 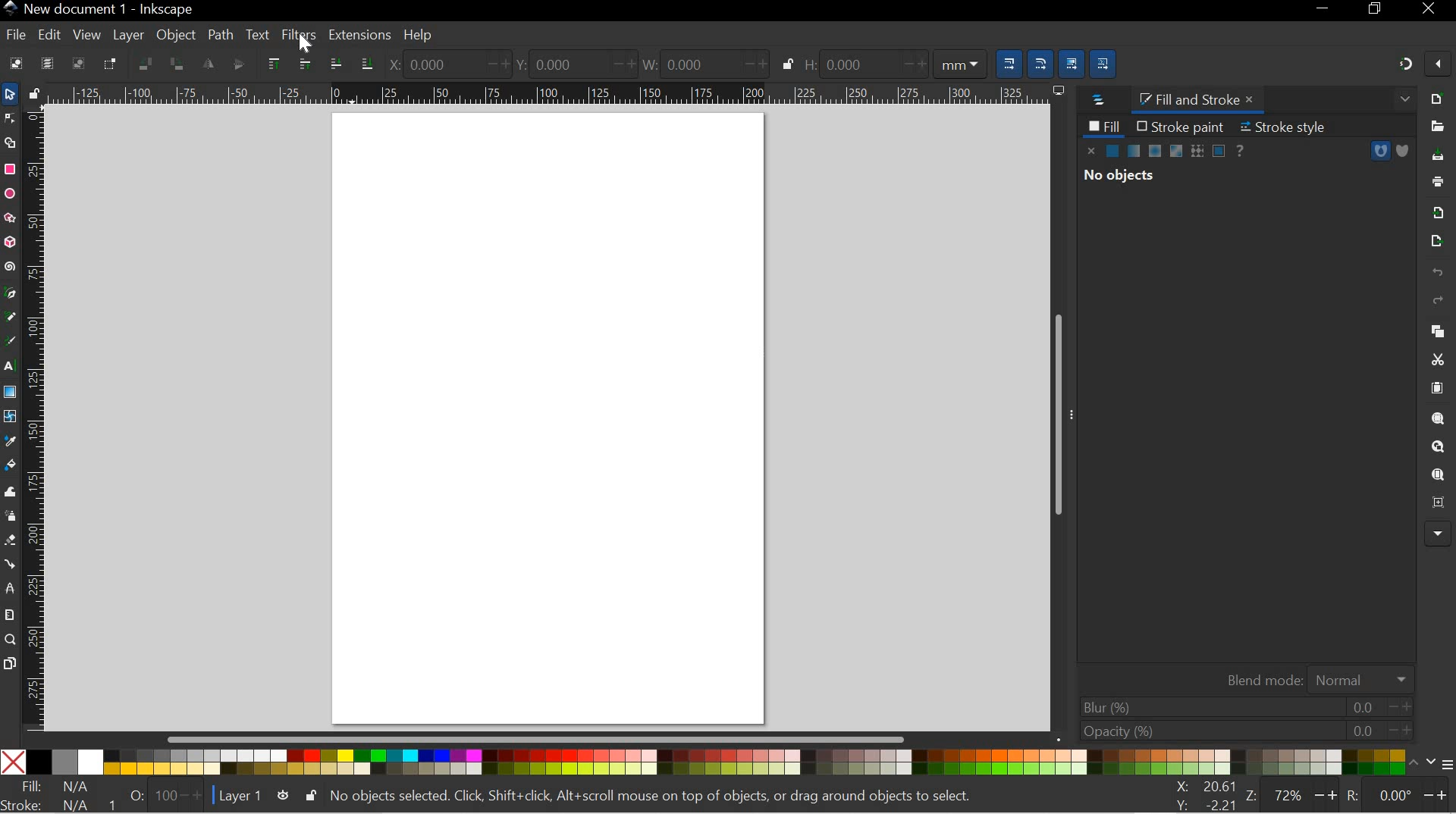 What do you see at coordinates (1092, 151) in the screenshot?
I see `NO PAINT` at bounding box center [1092, 151].